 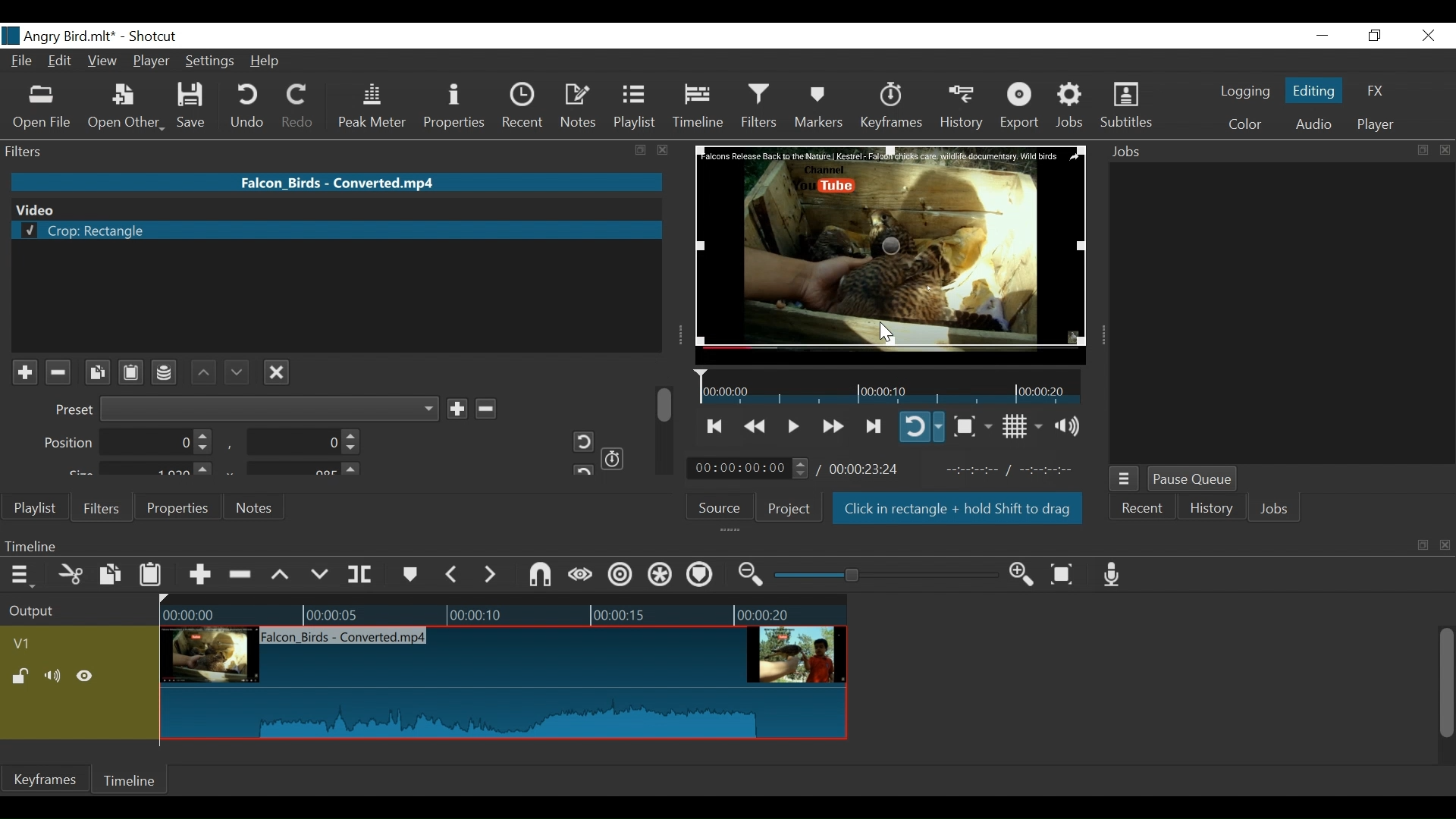 I want to click on Previous marker, so click(x=452, y=574).